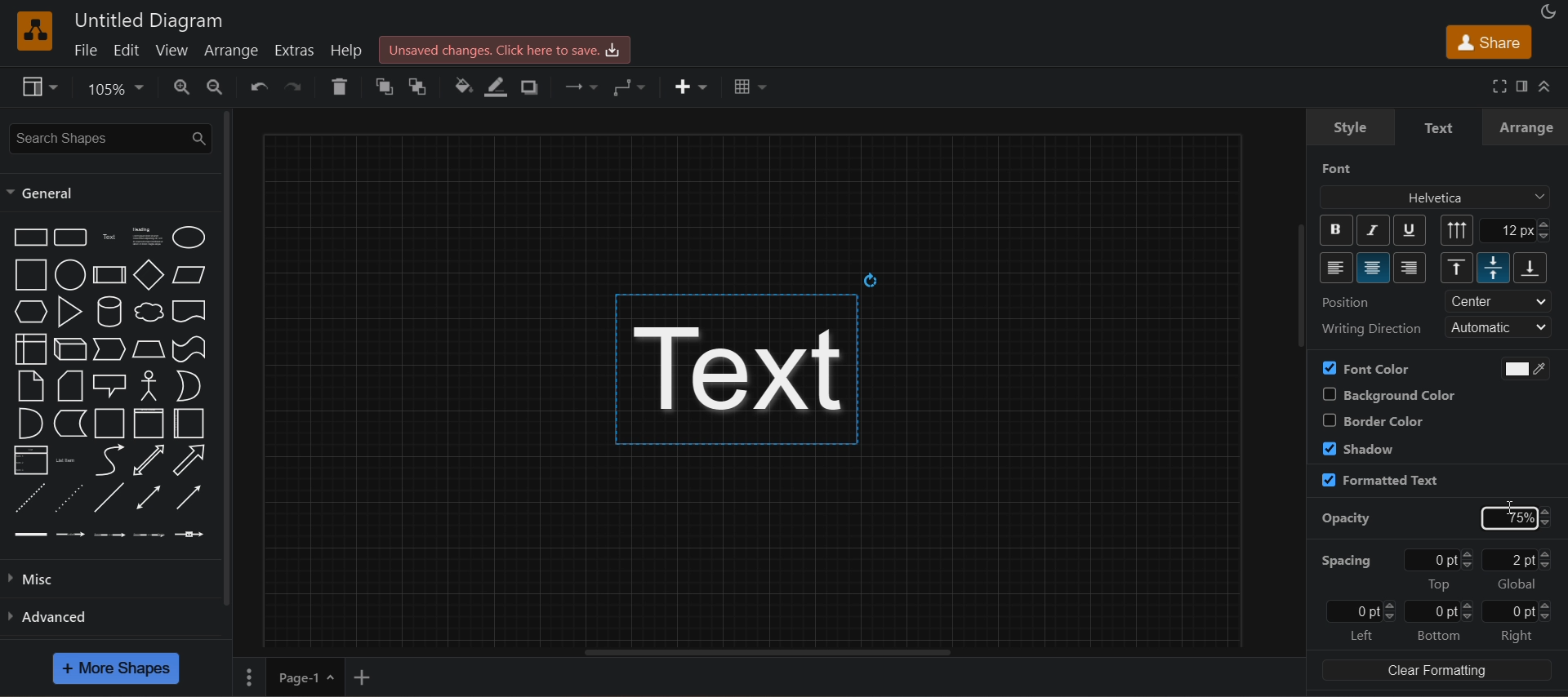  What do you see at coordinates (119, 89) in the screenshot?
I see `zoom` at bounding box center [119, 89].